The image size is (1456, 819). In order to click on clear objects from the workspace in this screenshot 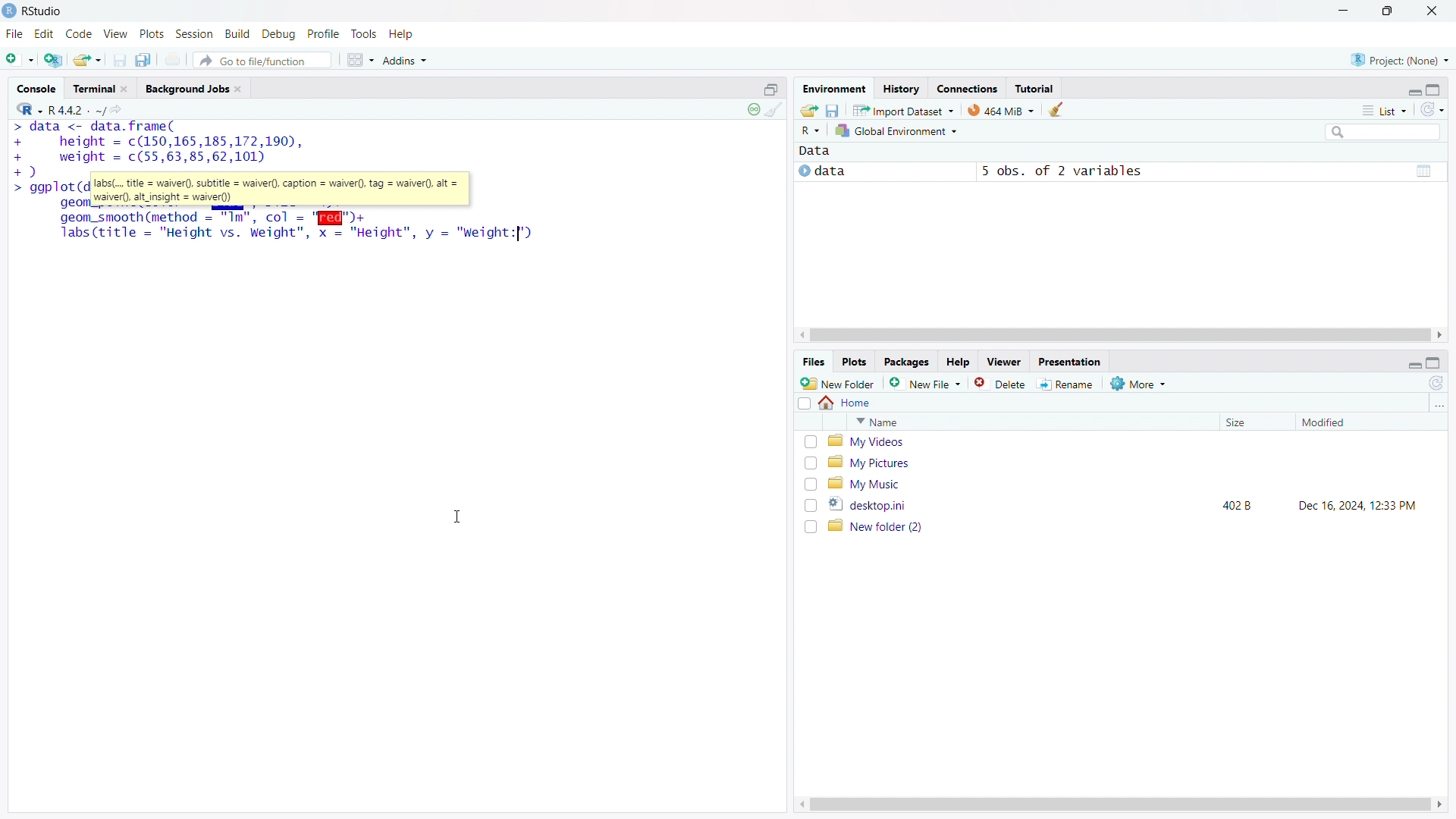, I will do `click(1055, 109)`.